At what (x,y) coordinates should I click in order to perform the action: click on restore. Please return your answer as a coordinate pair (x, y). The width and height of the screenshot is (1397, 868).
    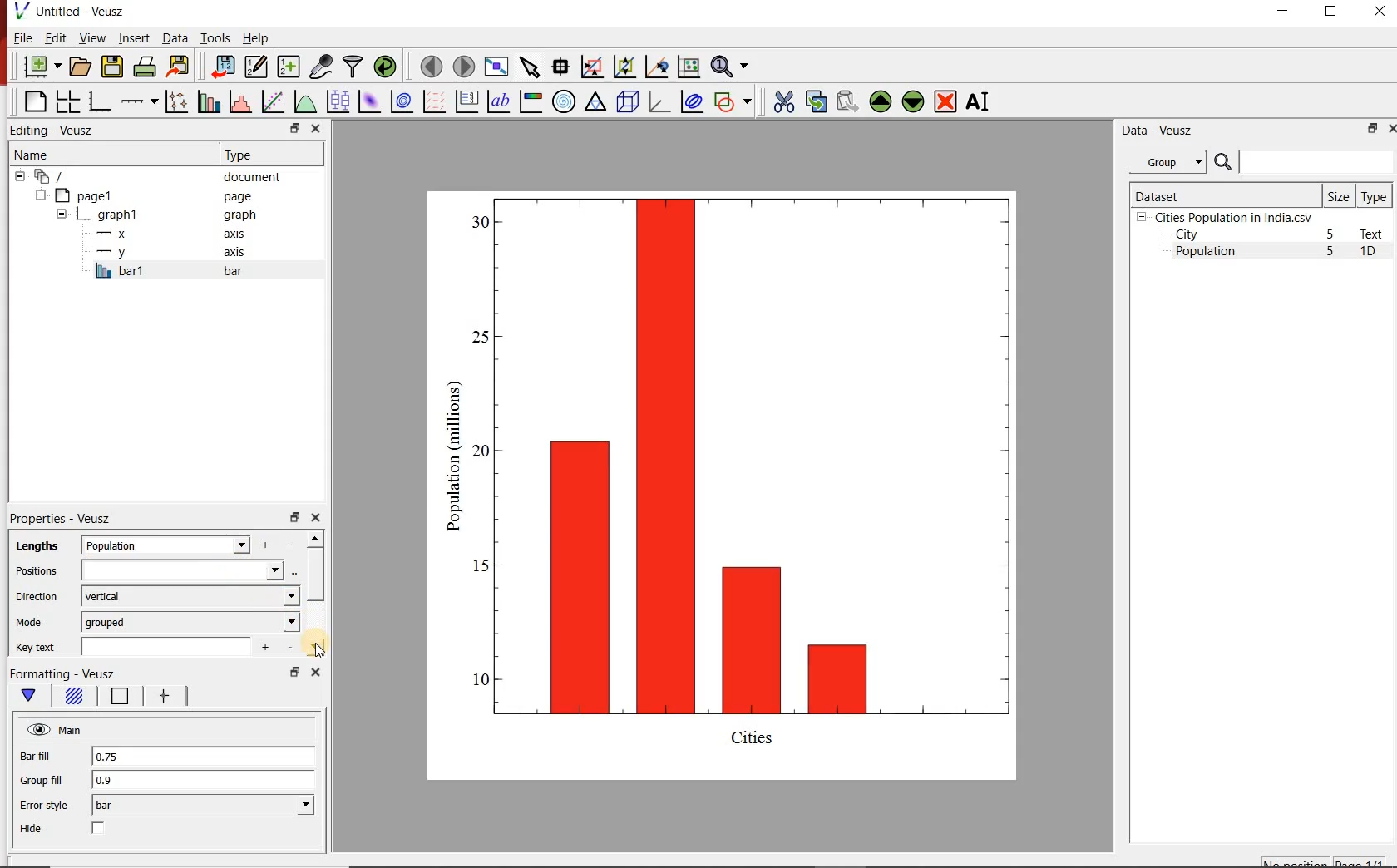
    Looking at the image, I should click on (294, 516).